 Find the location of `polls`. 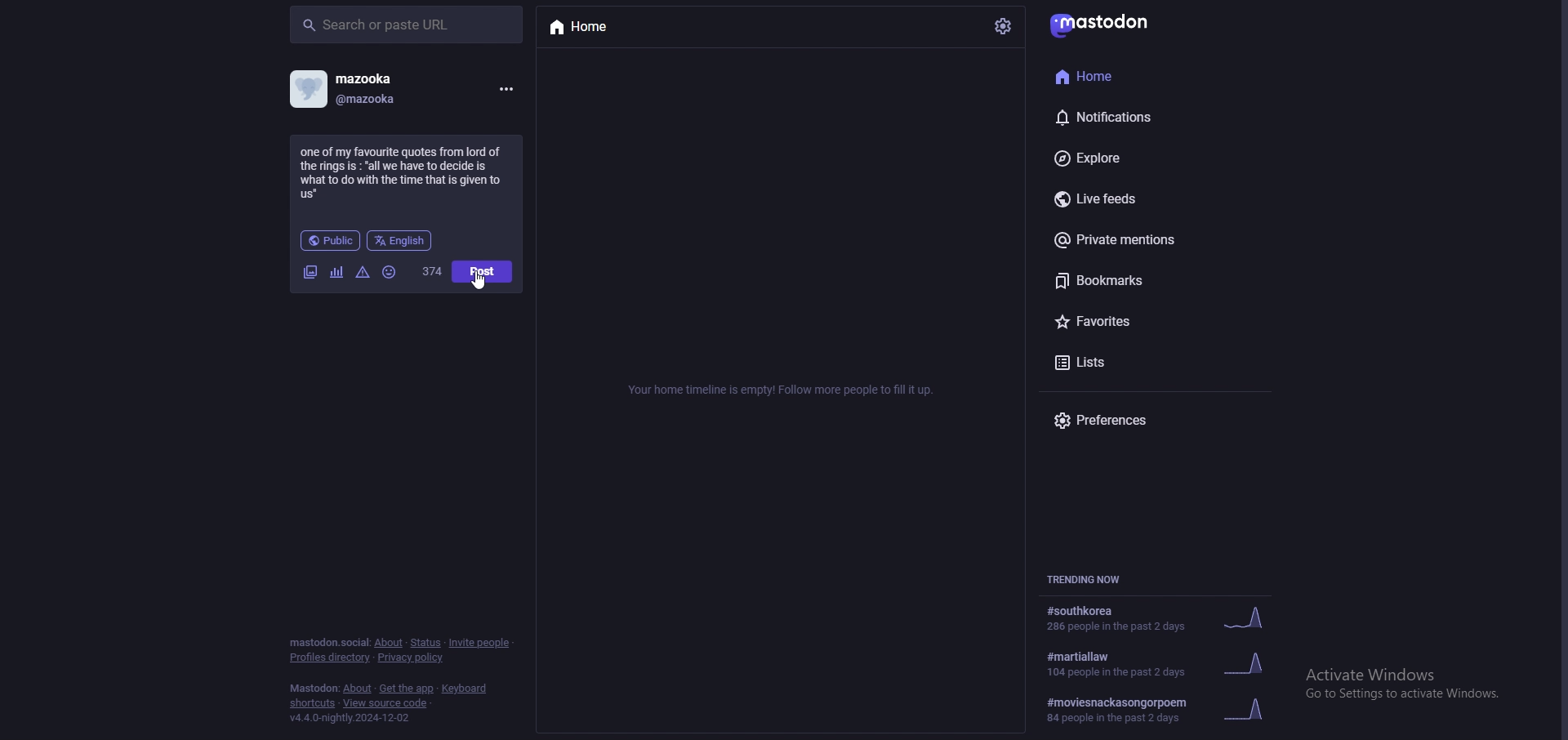

polls is located at coordinates (338, 274).